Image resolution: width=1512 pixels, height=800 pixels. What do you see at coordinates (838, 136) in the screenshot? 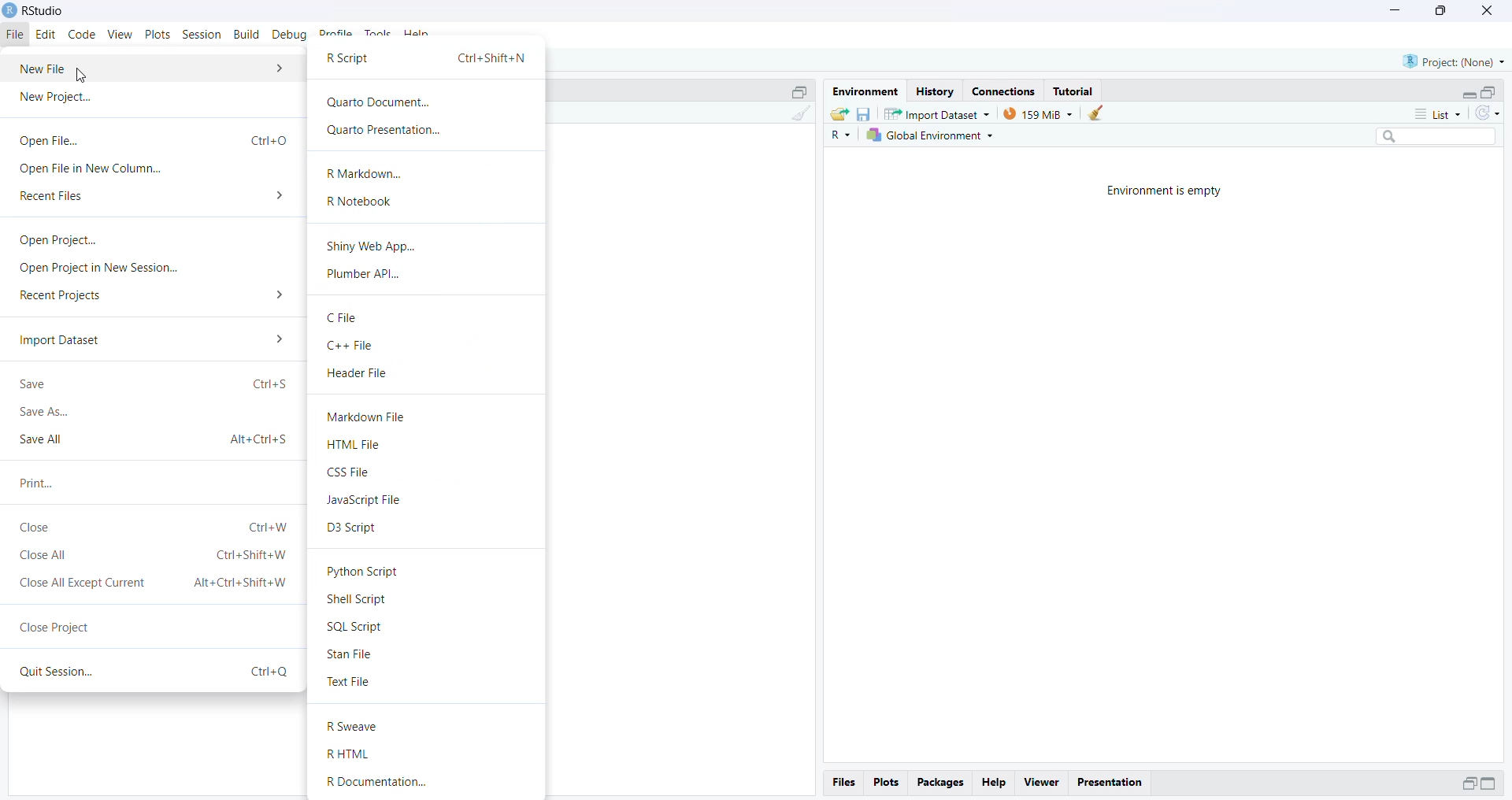
I see `R` at bounding box center [838, 136].